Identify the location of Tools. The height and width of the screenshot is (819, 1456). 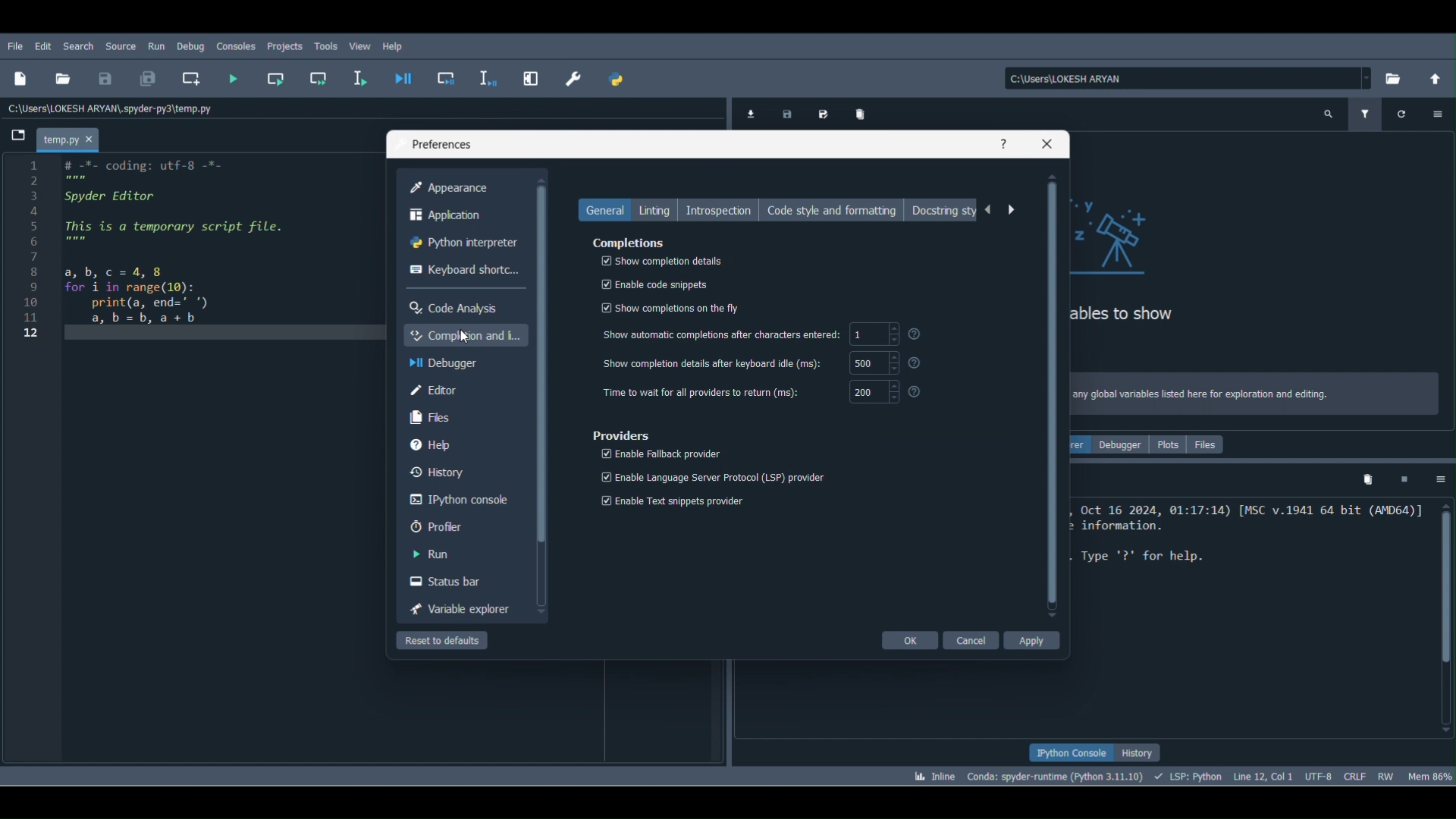
(326, 45).